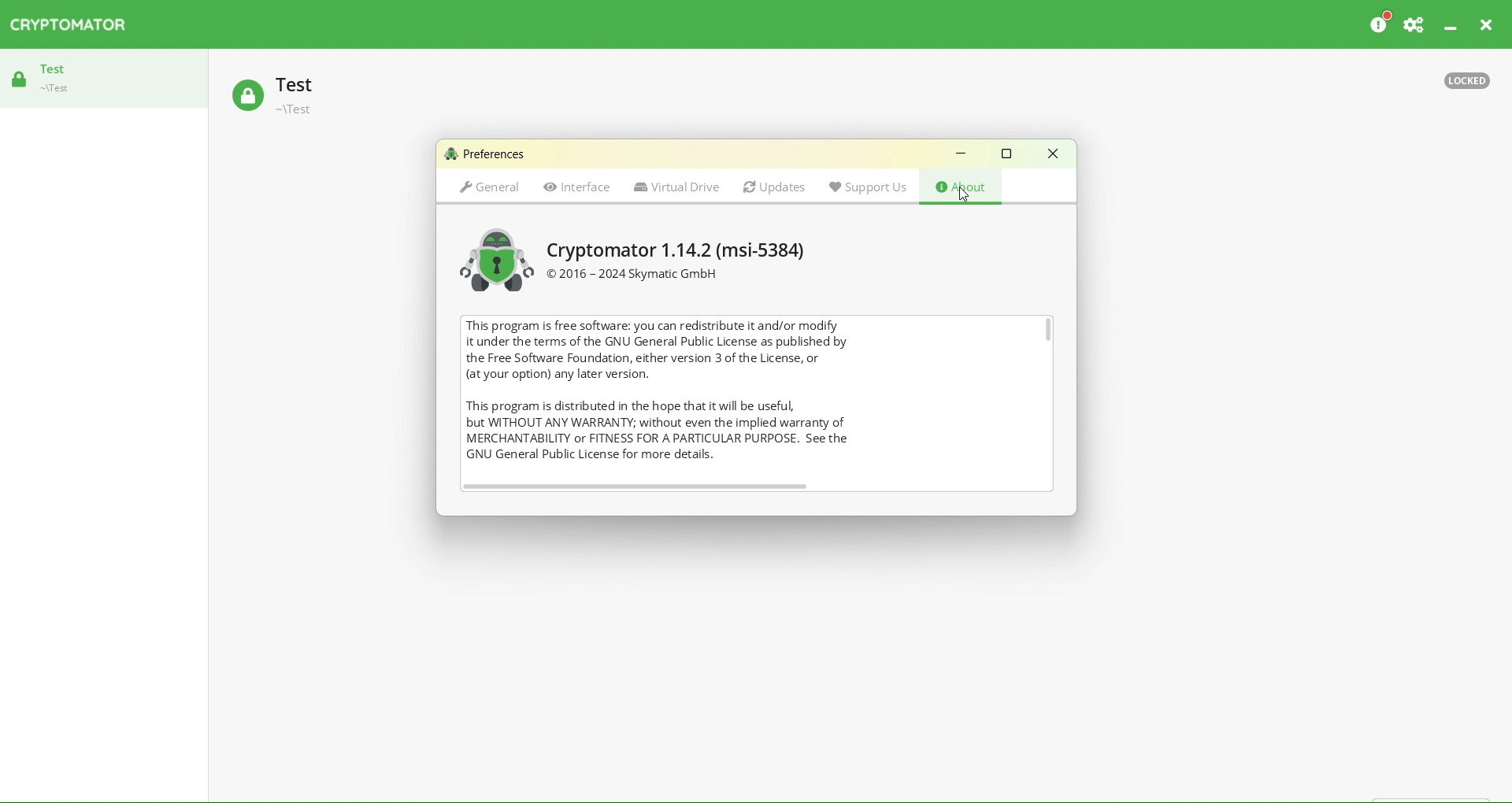  I want to click on Cryptomator, so click(644, 257).